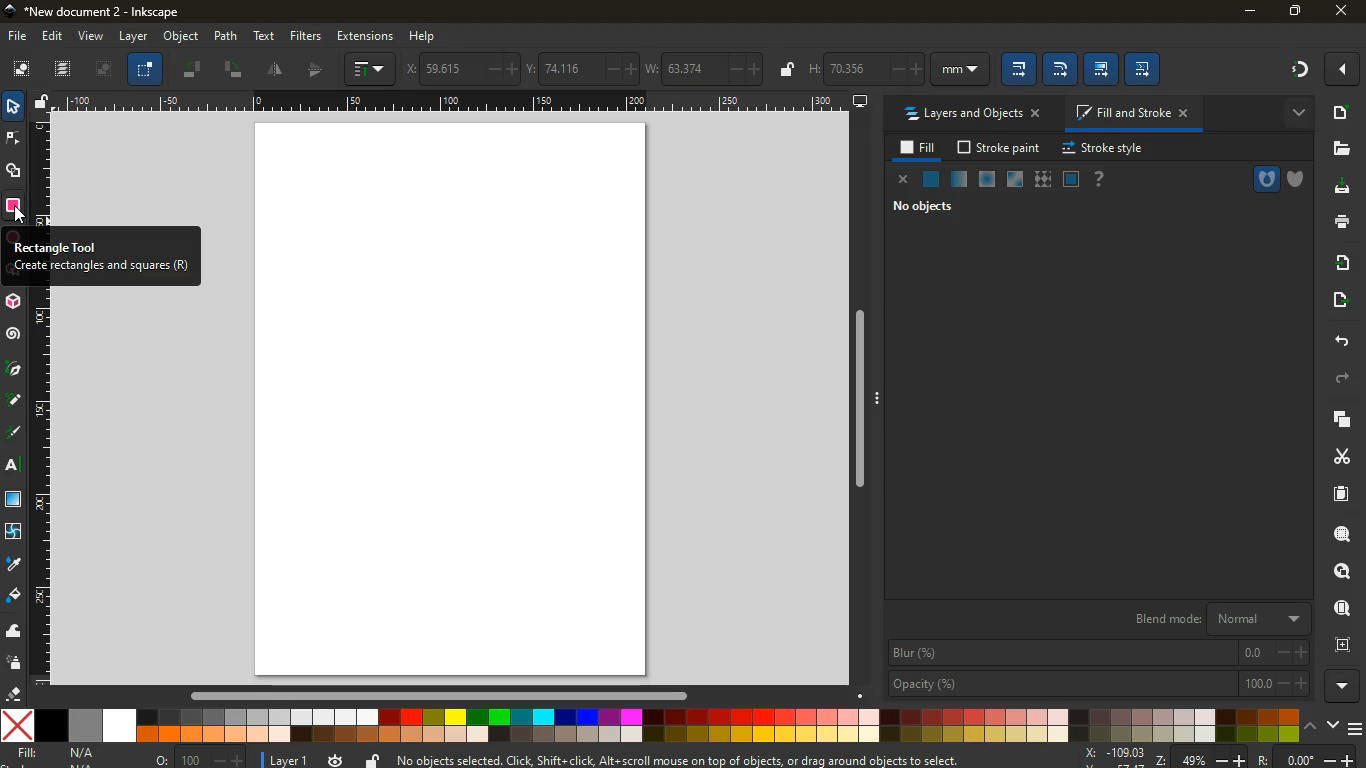 This screenshot has width=1366, height=768. What do you see at coordinates (1300, 116) in the screenshot?
I see `more` at bounding box center [1300, 116].